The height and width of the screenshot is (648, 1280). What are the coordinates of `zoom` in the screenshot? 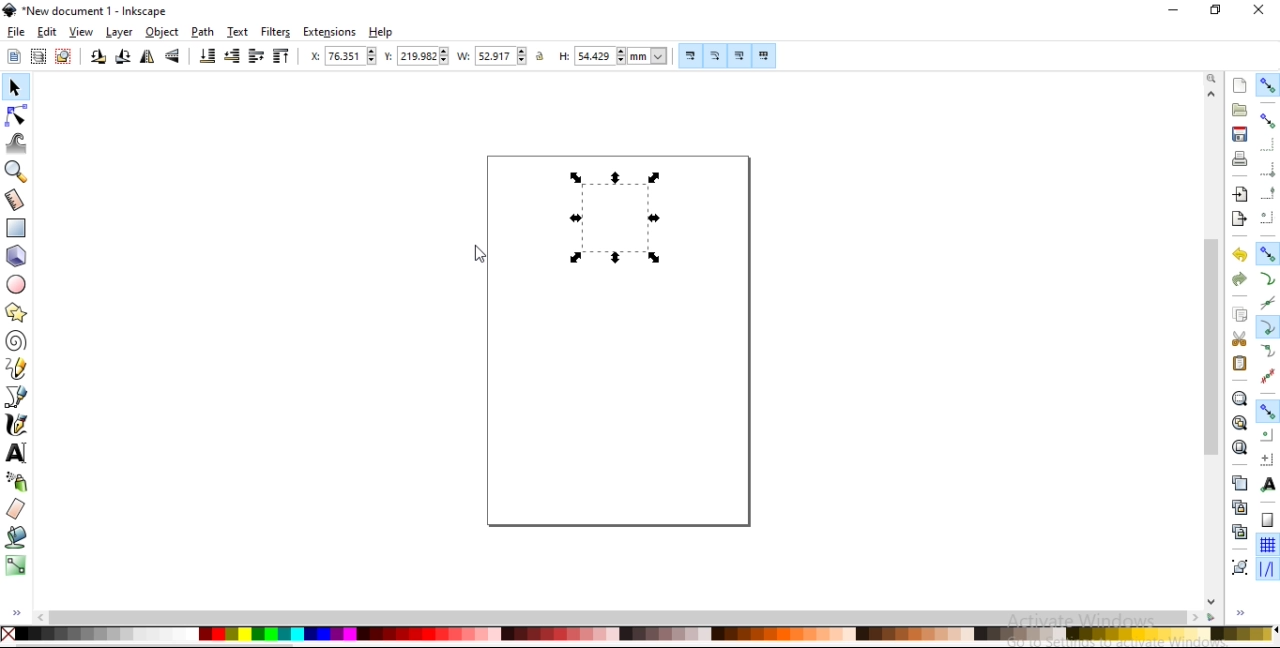 It's located at (1214, 79).